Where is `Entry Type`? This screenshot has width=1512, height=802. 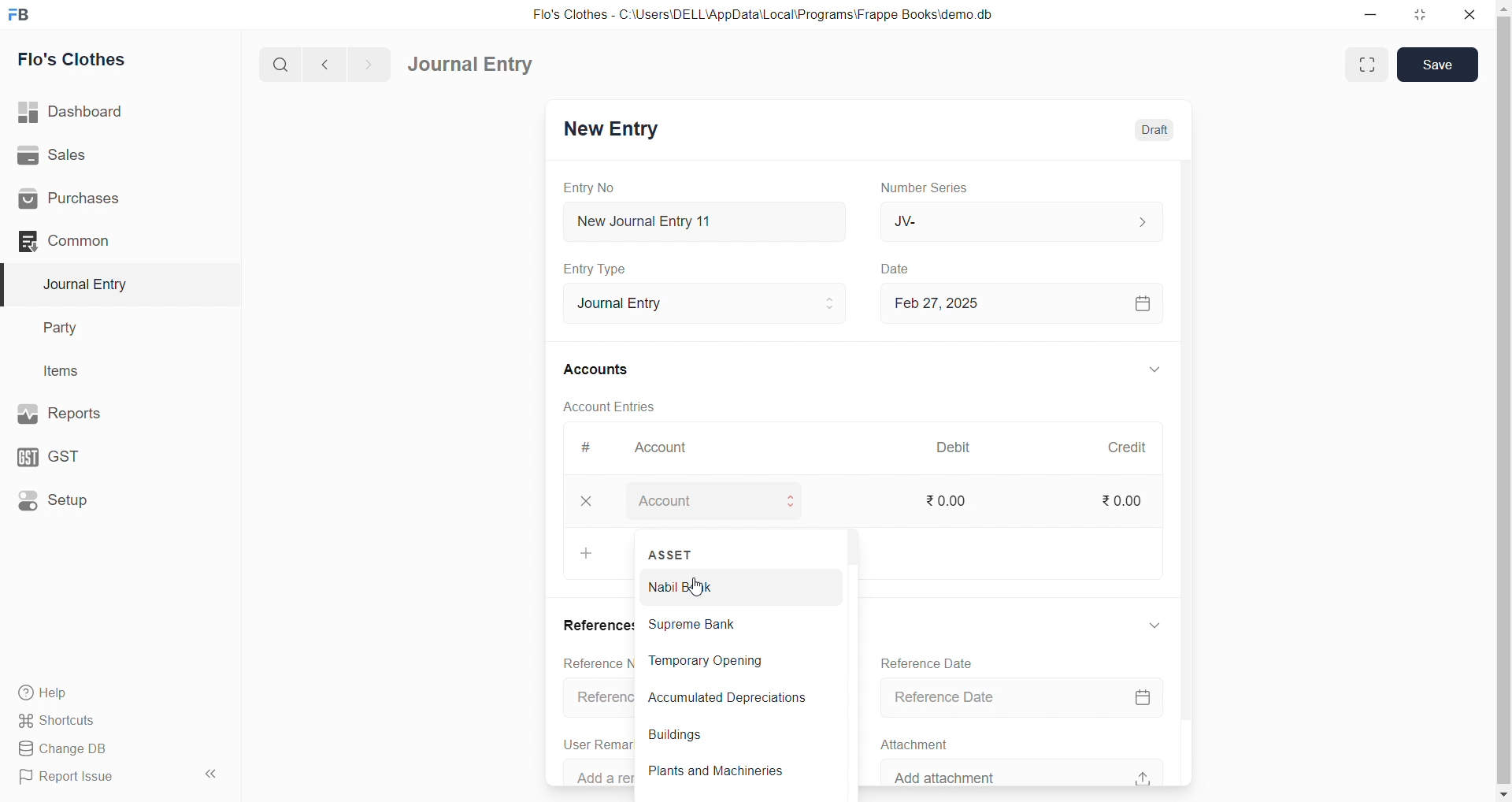 Entry Type is located at coordinates (604, 269).